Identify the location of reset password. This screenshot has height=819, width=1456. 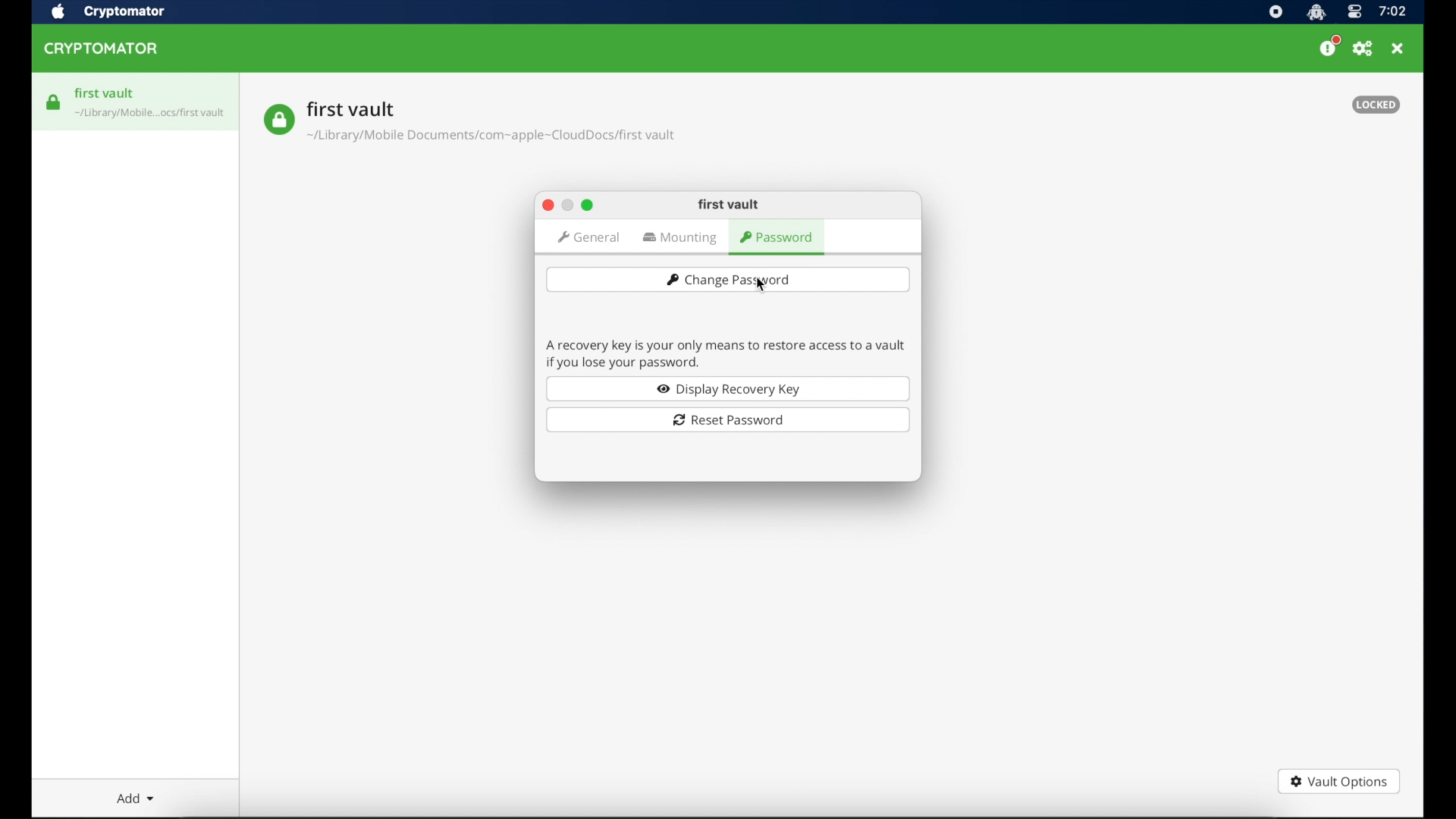
(728, 420).